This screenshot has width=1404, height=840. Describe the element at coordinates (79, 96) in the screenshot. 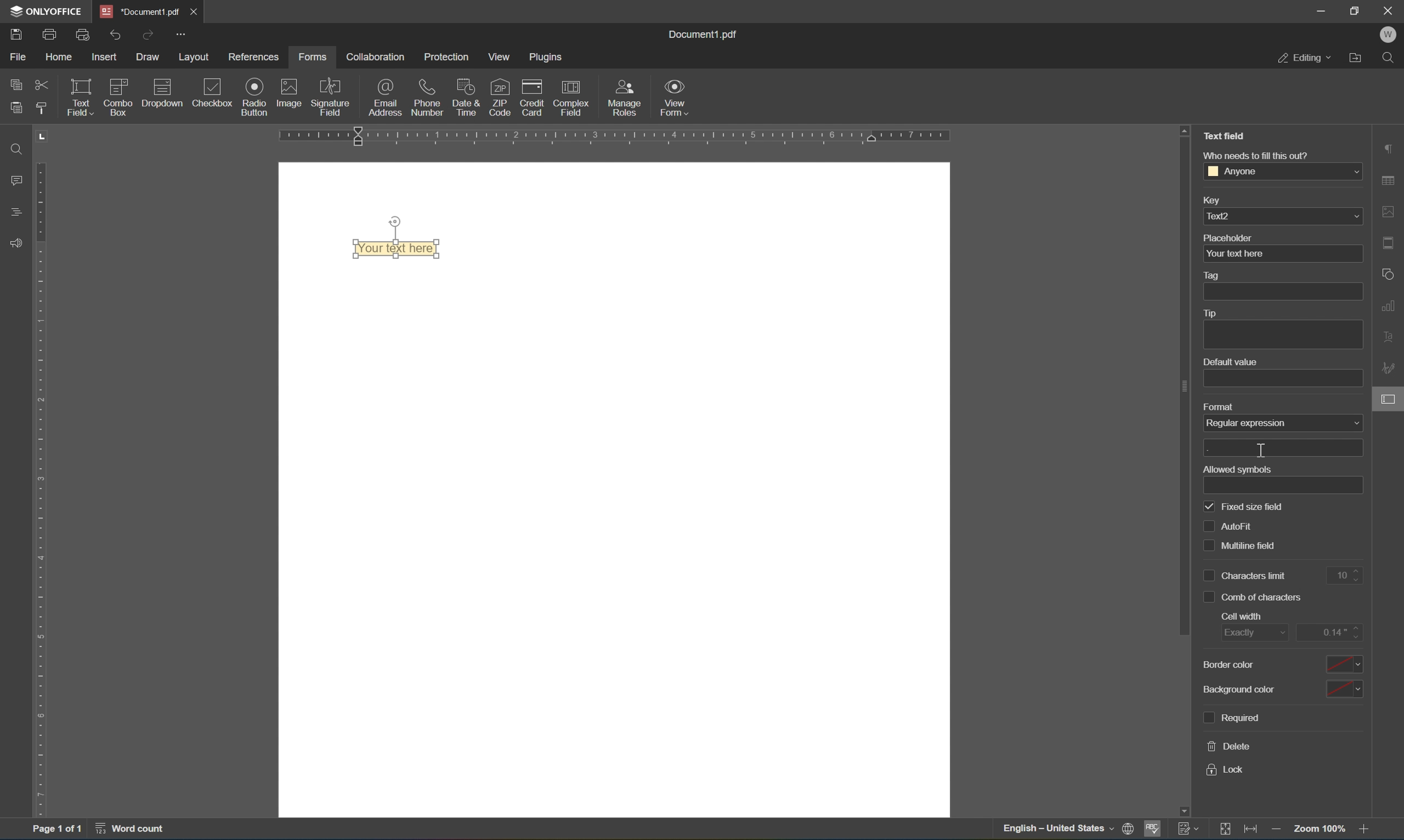

I see `text field` at that location.